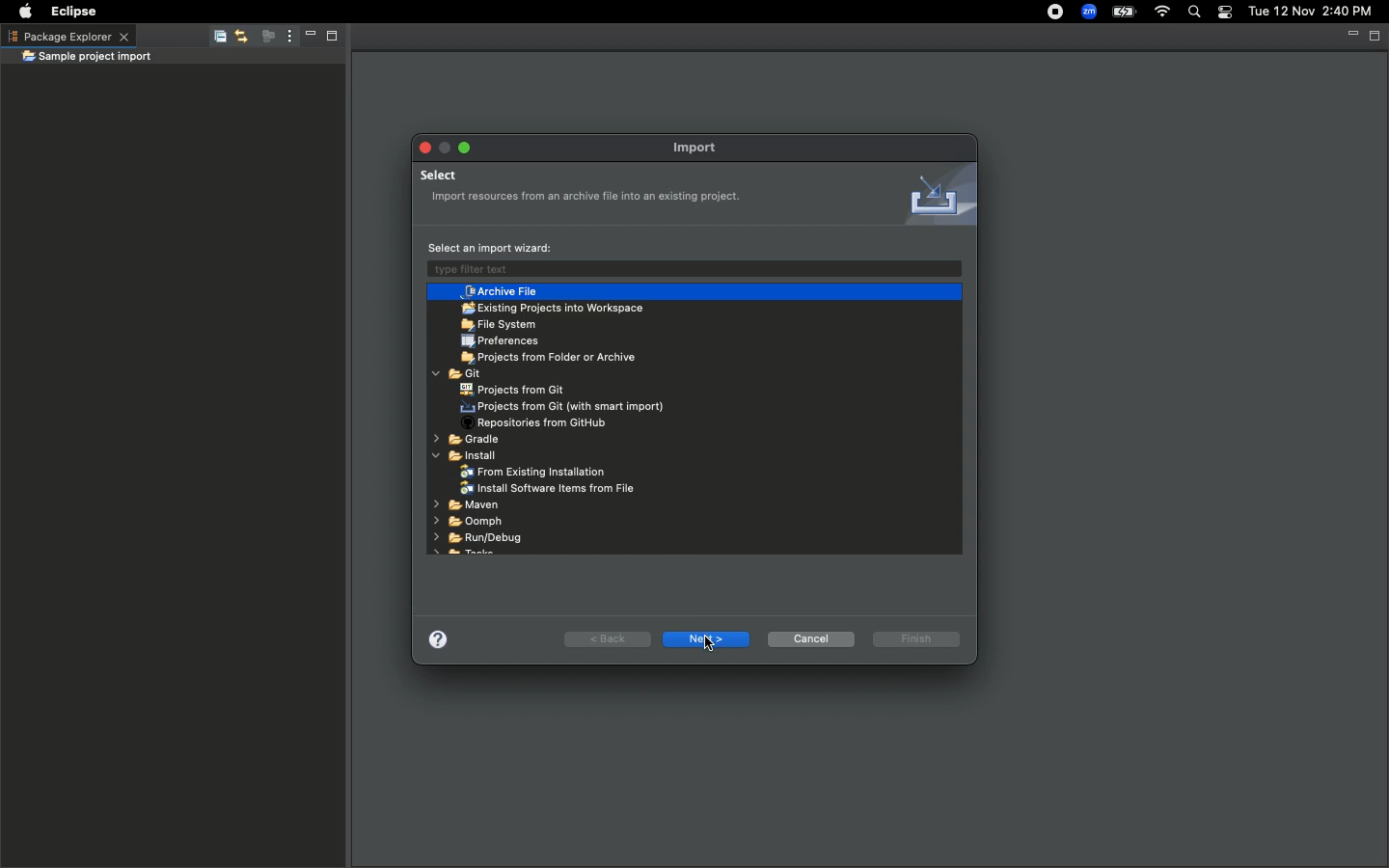  I want to click on Maximize, so click(330, 39).